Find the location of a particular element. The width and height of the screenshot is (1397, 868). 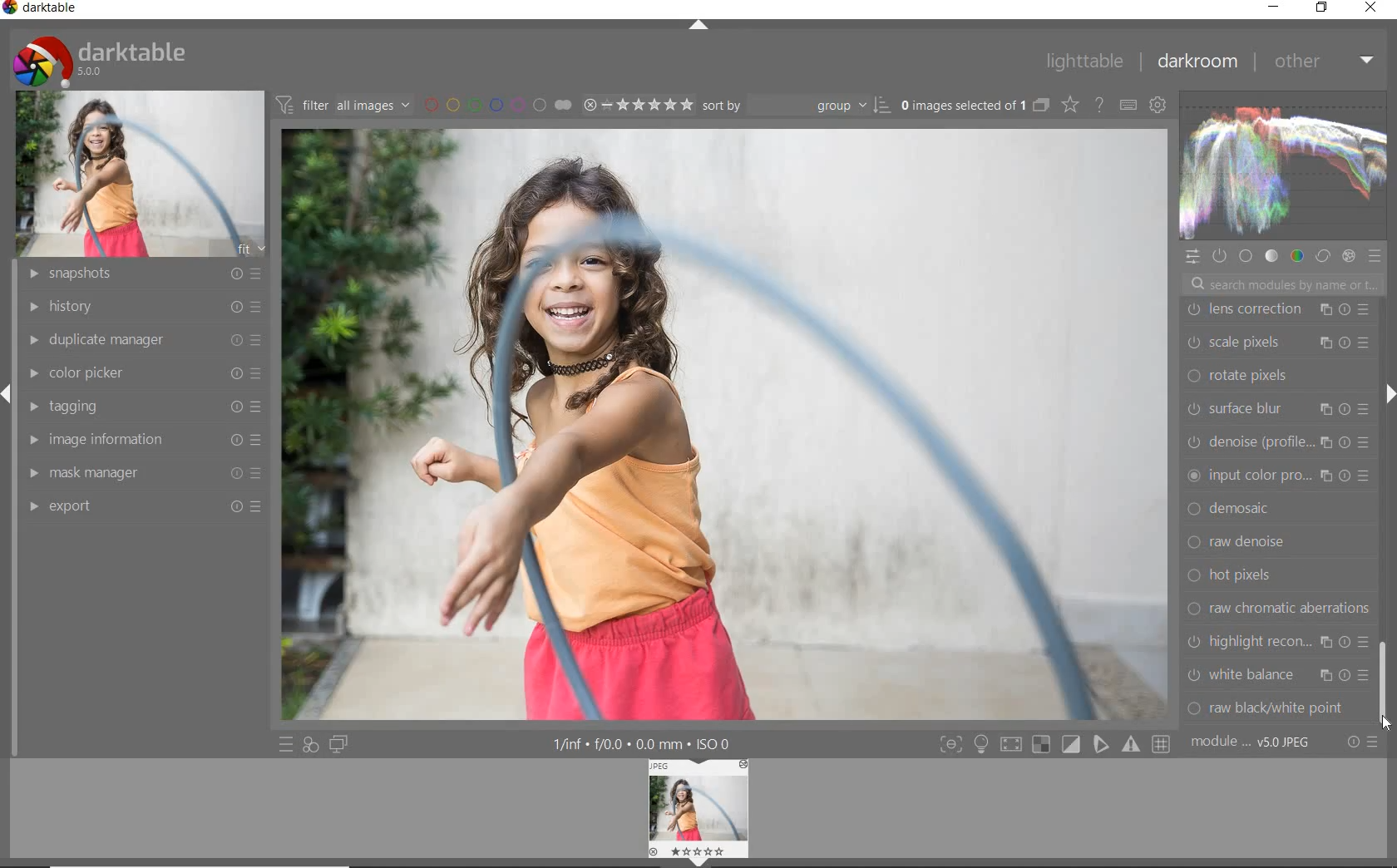

quick access for applying any of your styles is located at coordinates (310, 746).